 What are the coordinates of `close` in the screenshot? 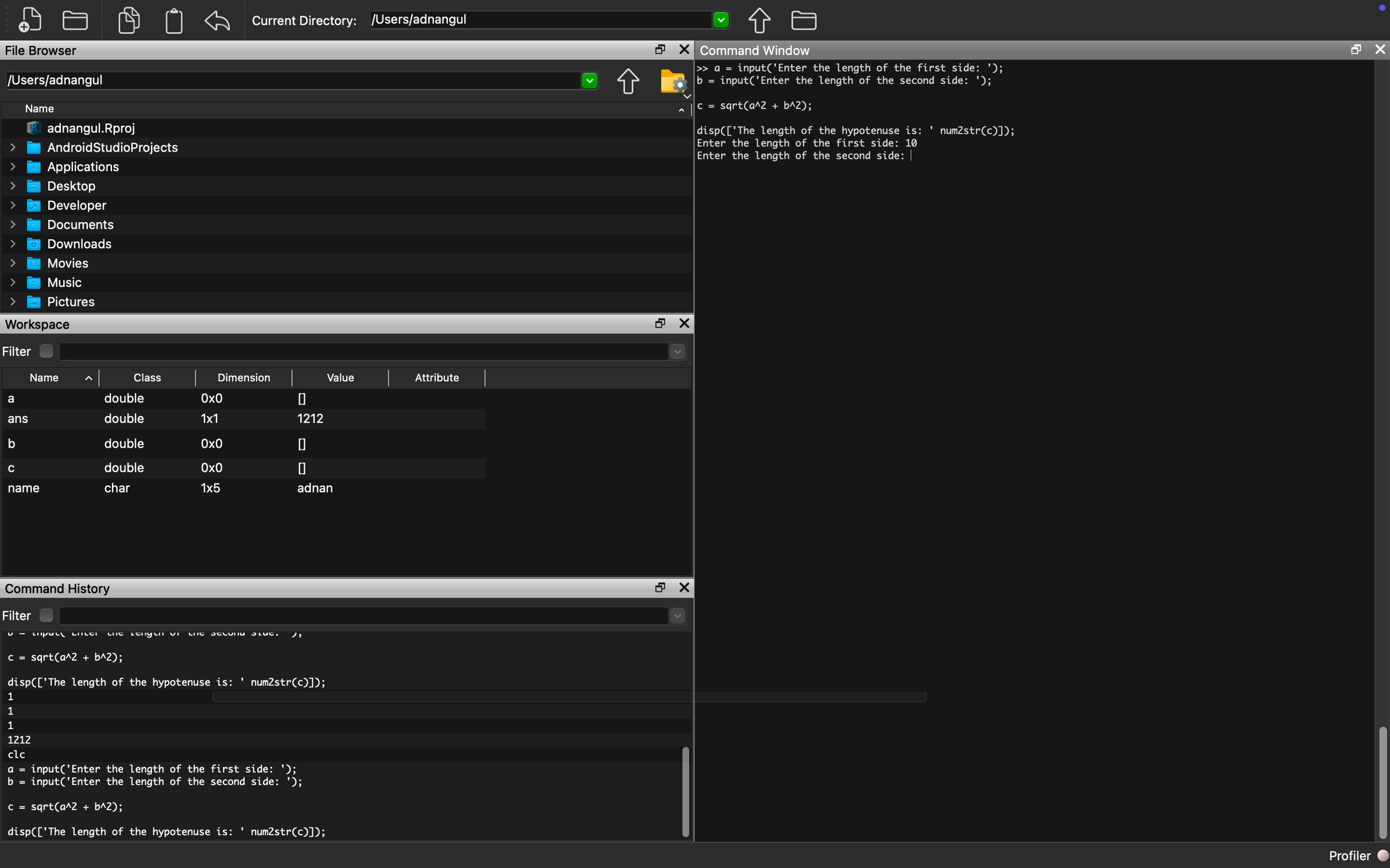 It's located at (686, 590).